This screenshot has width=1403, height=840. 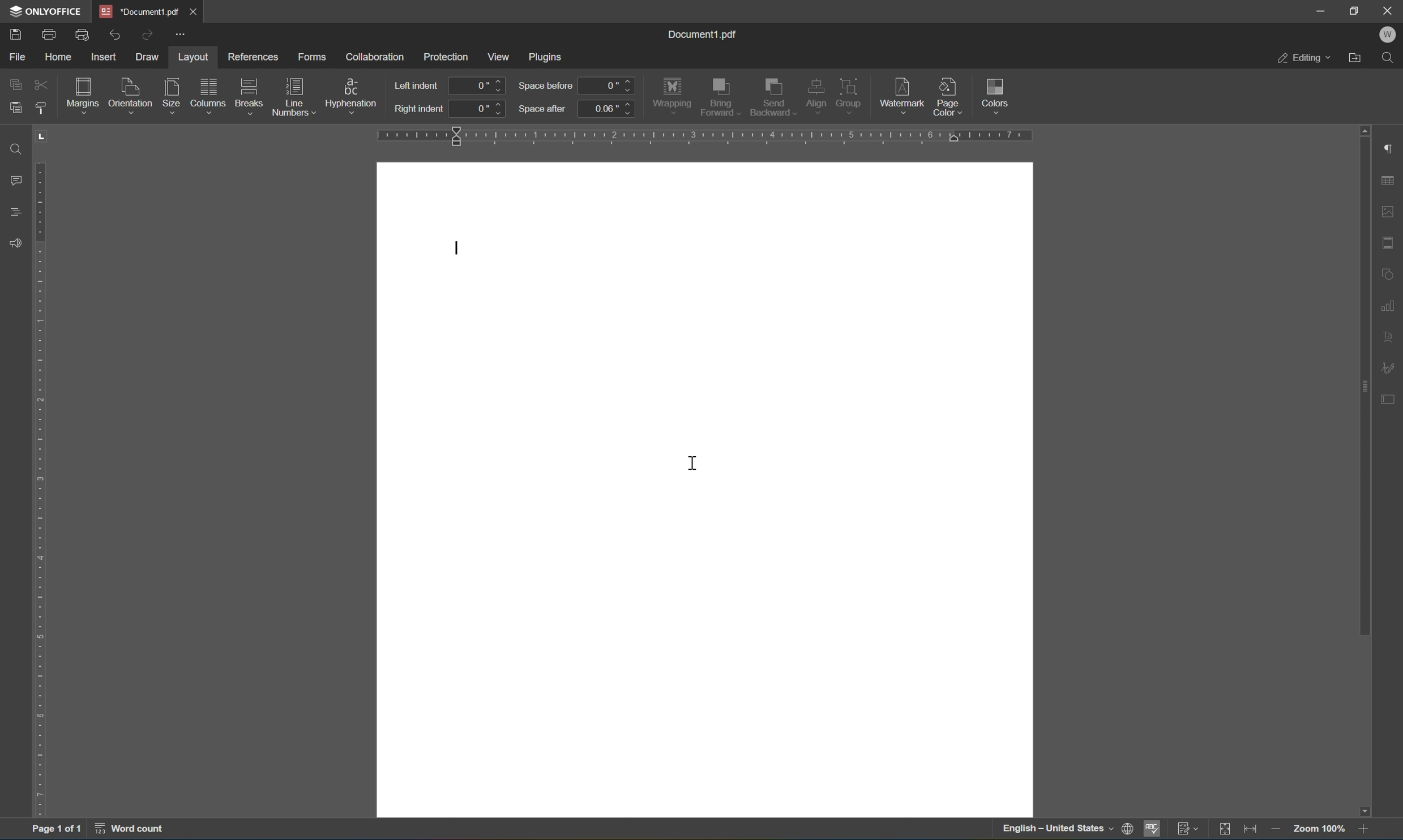 I want to click on minimize, so click(x=1323, y=11).